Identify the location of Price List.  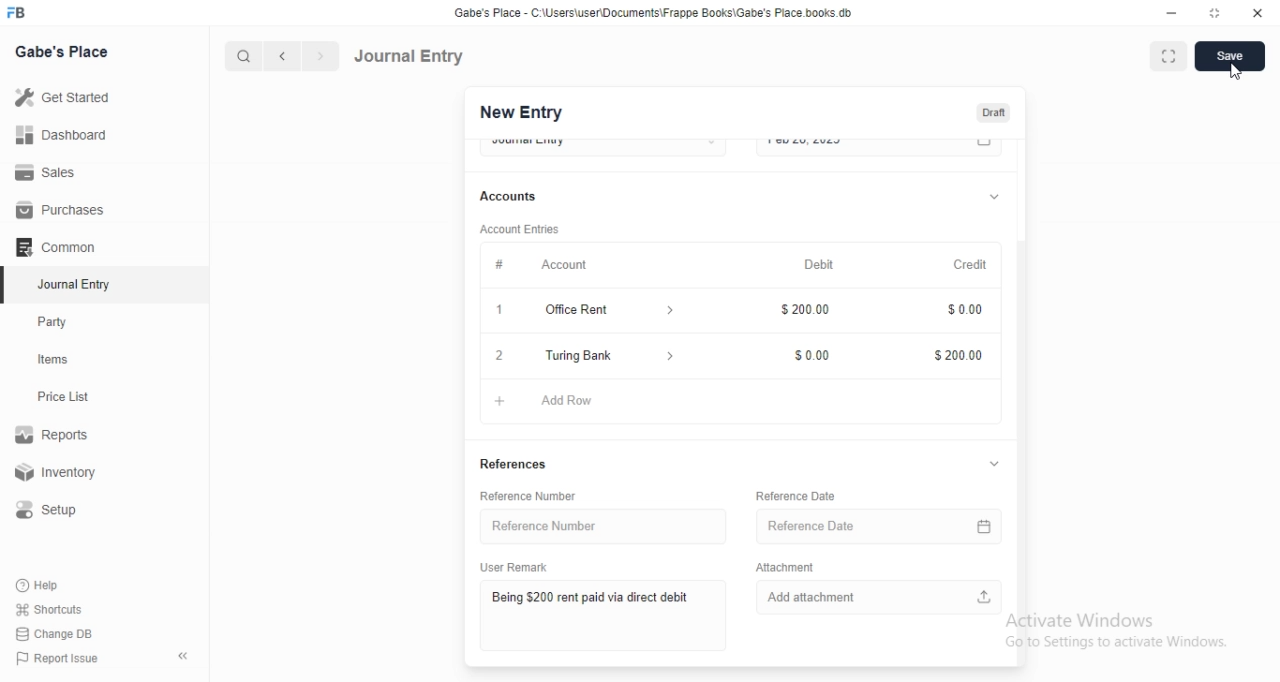
(62, 397).